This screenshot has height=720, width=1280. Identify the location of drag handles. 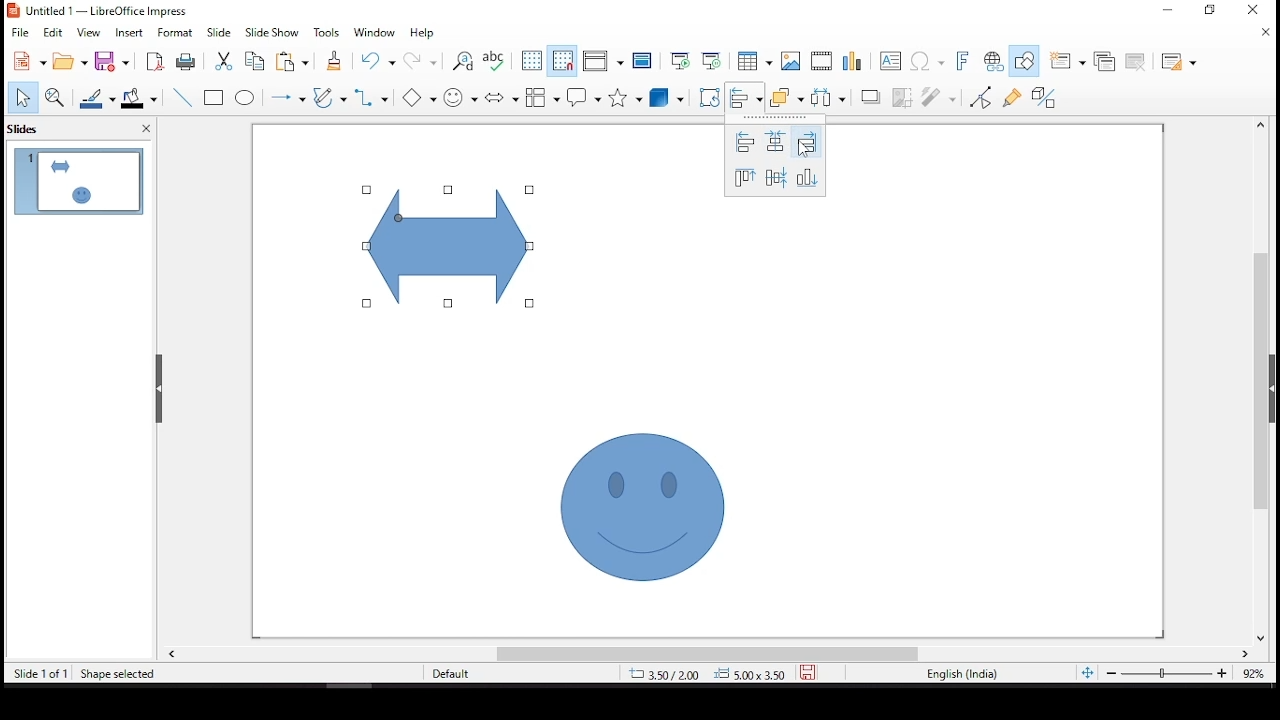
(161, 389).